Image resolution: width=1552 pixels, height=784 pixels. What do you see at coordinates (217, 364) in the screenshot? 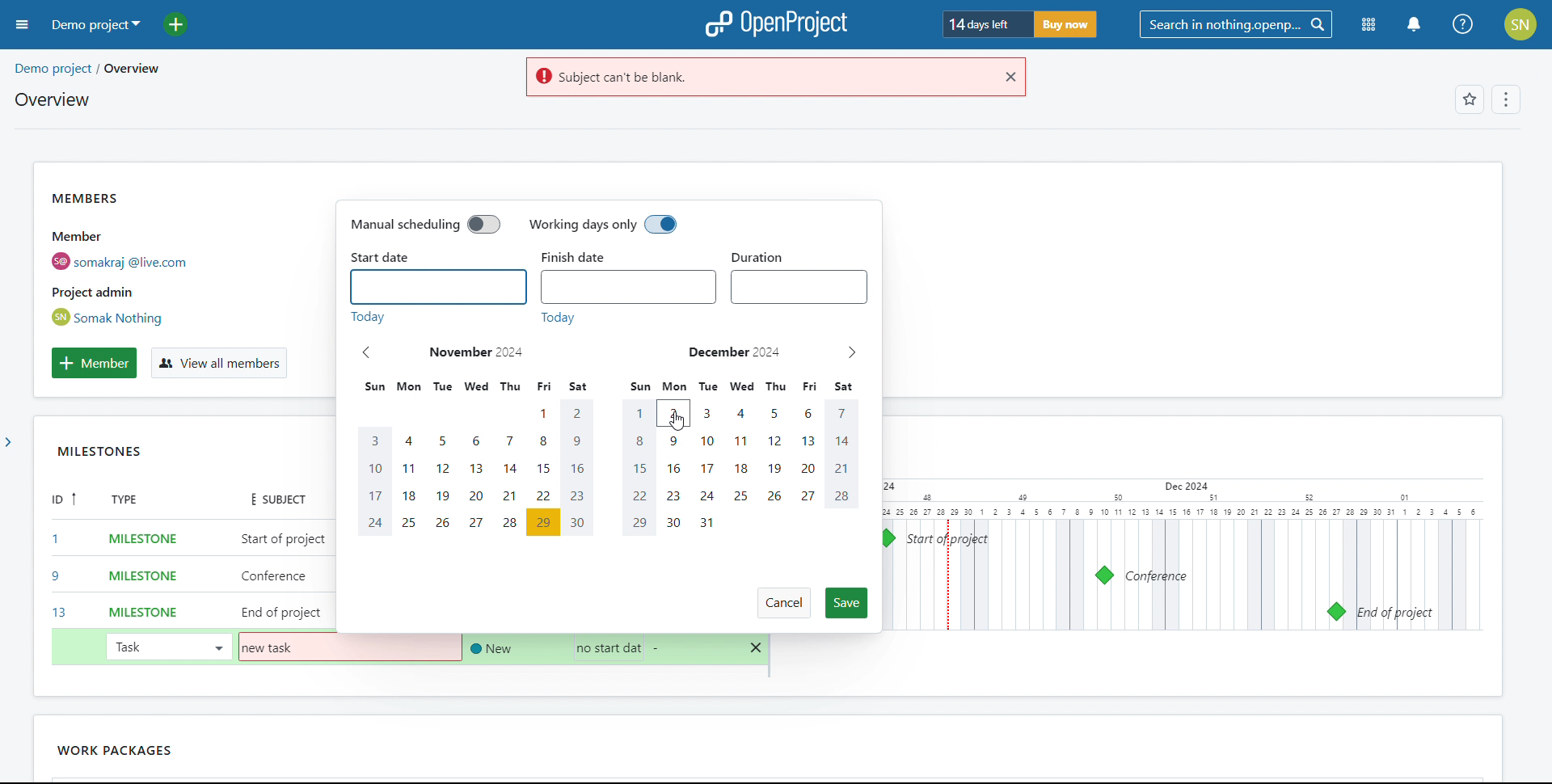
I see `view all members` at bounding box center [217, 364].